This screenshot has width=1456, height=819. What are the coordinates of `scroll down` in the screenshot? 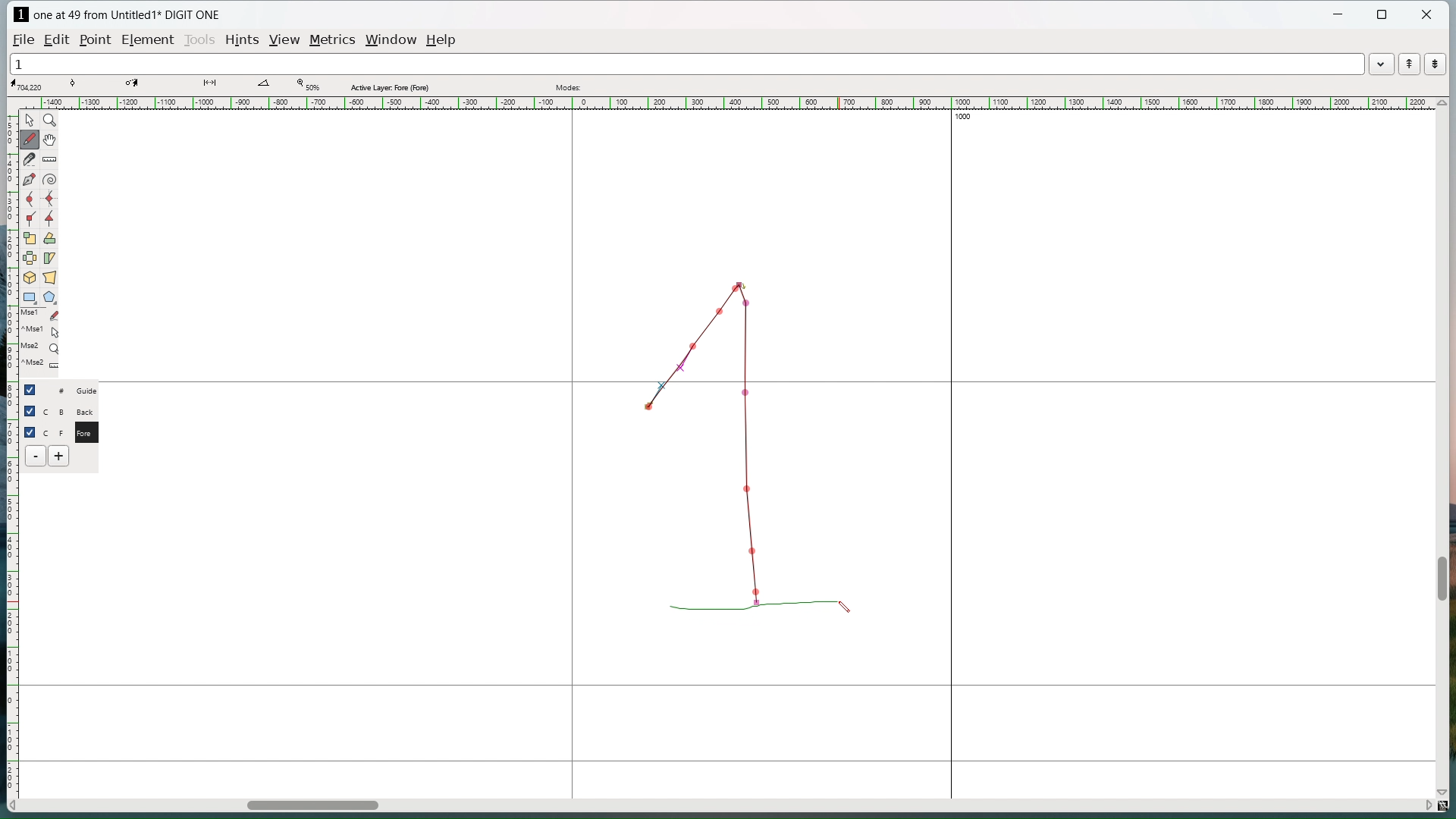 It's located at (1446, 789).